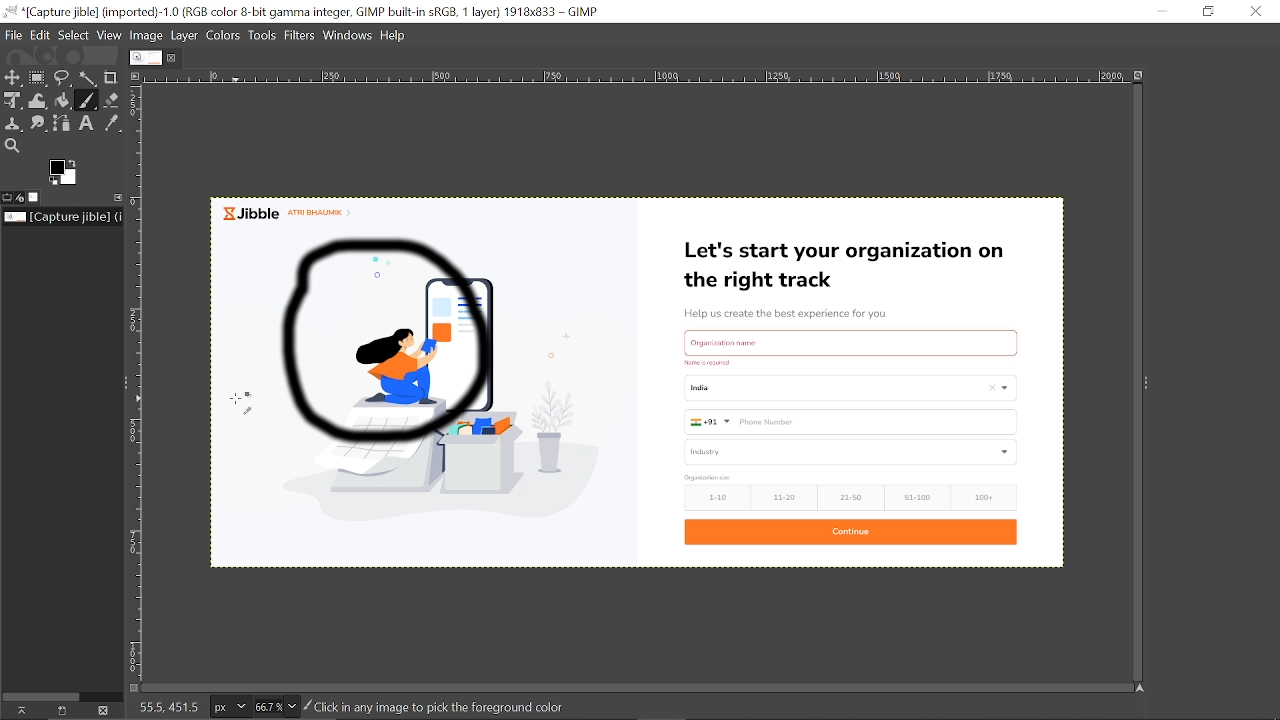  Describe the element at coordinates (301, 37) in the screenshot. I see `Filters` at that location.